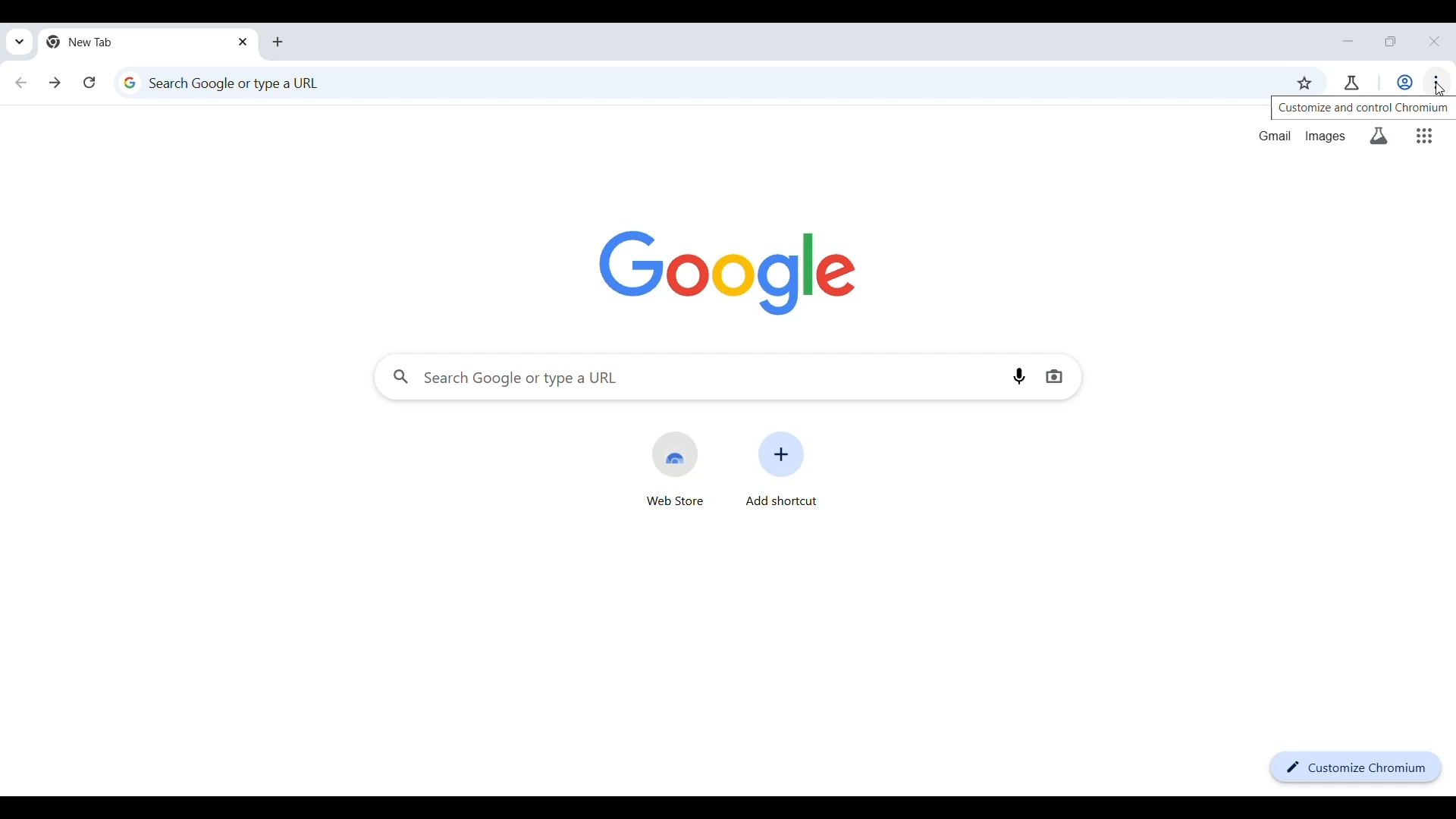 This screenshot has width=1456, height=819. What do you see at coordinates (89, 82) in the screenshot?
I see `Reload page` at bounding box center [89, 82].